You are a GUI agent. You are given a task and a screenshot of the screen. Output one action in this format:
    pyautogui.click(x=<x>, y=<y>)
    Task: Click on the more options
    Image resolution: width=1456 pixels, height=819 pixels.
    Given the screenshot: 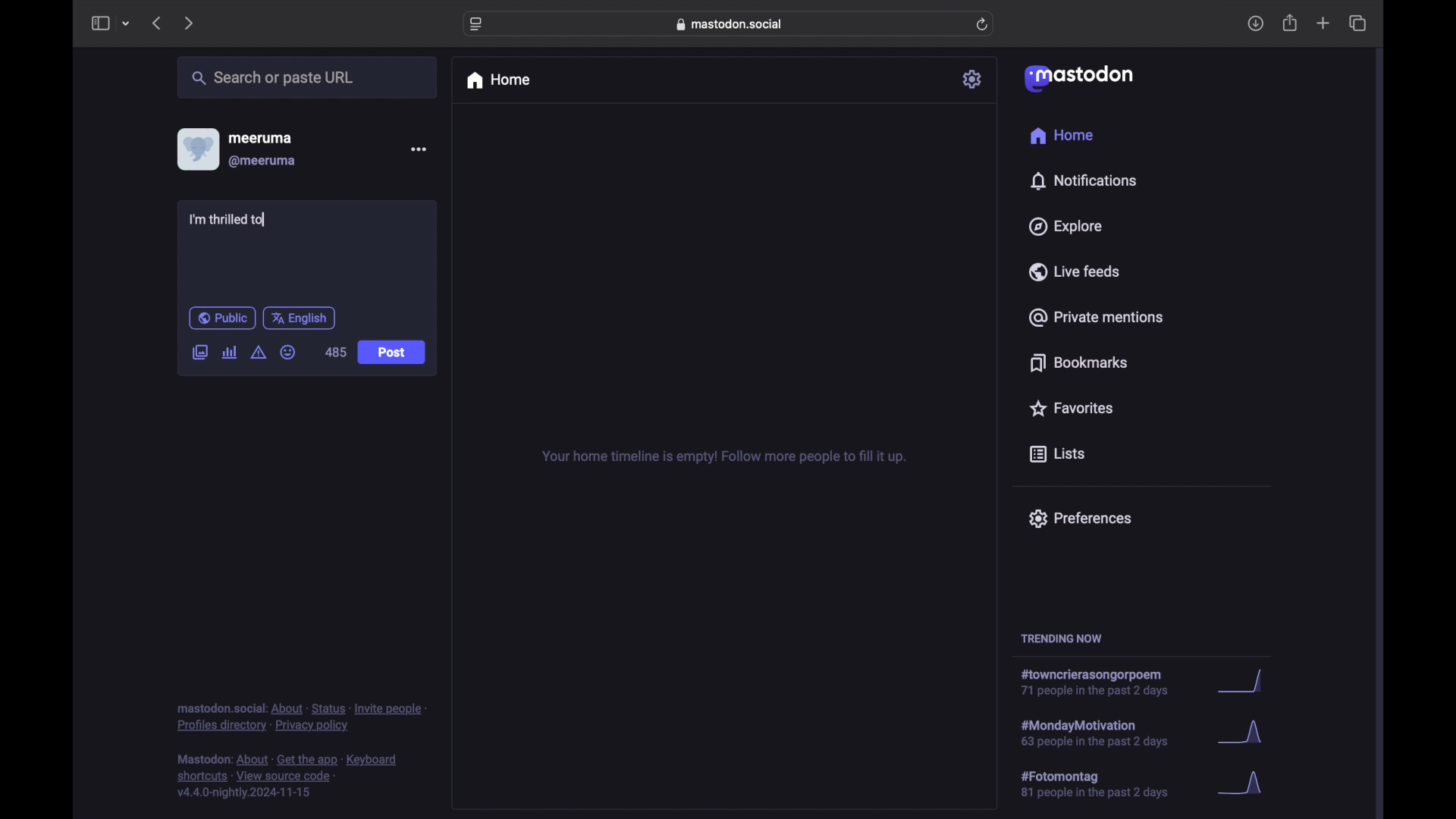 What is the action you would take?
    pyautogui.click(x=418, y=149)
    